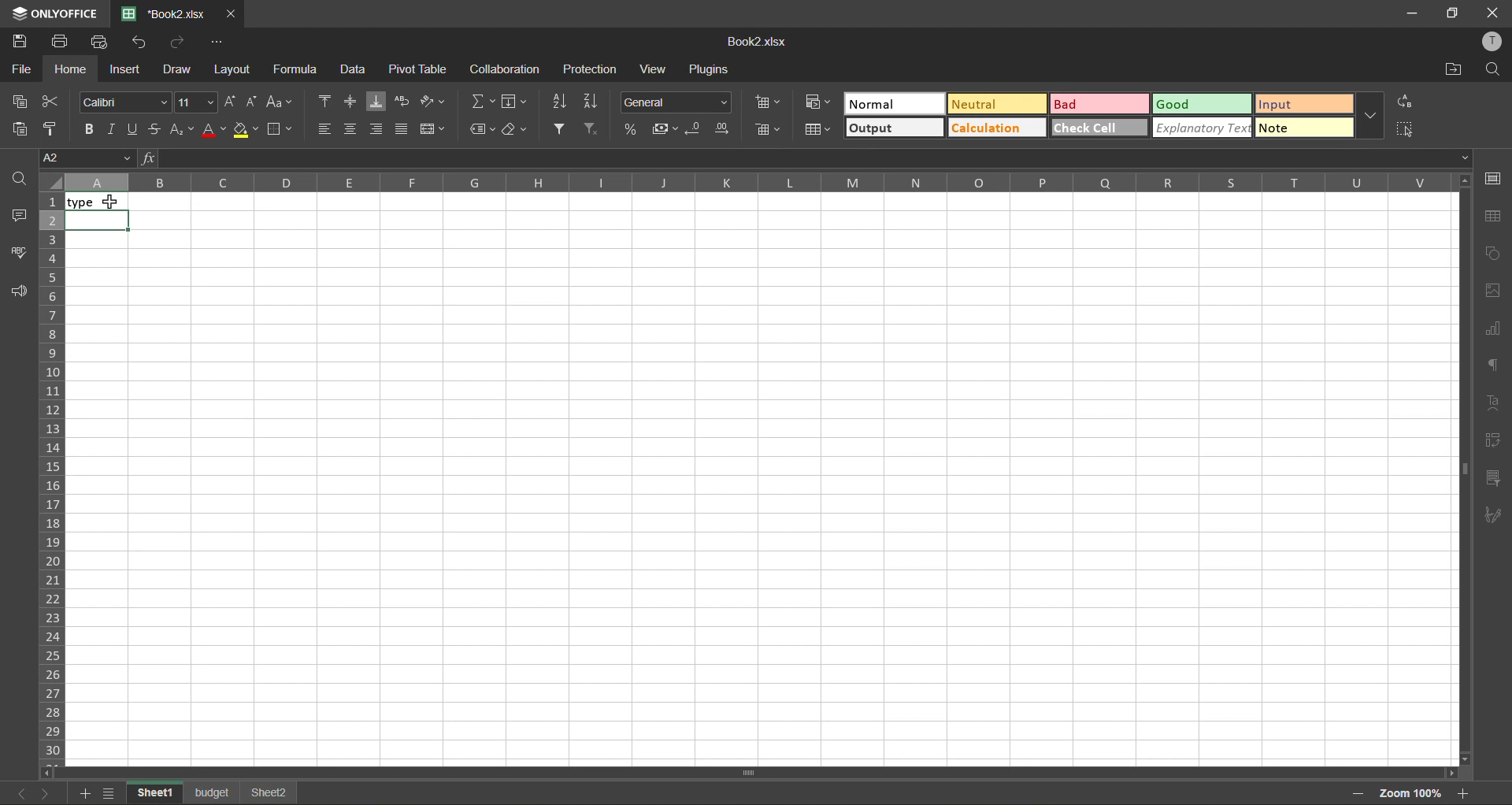 Image resolution: width=1512 pixels, height=805 pixels. What do you see at coordinates (1455, 68) in the screenshot?
I see `open location` at bounding box center [1455, 68].